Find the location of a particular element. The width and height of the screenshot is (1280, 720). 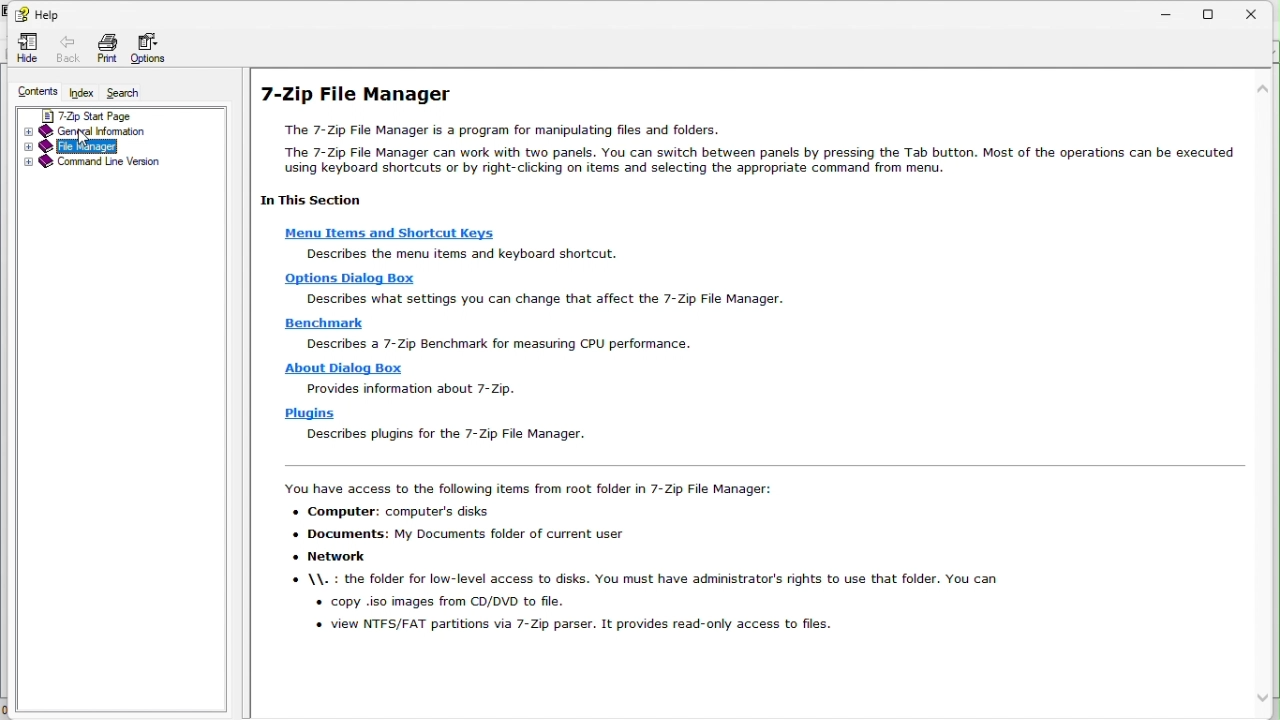

Print is located at coordinates (106, 50).